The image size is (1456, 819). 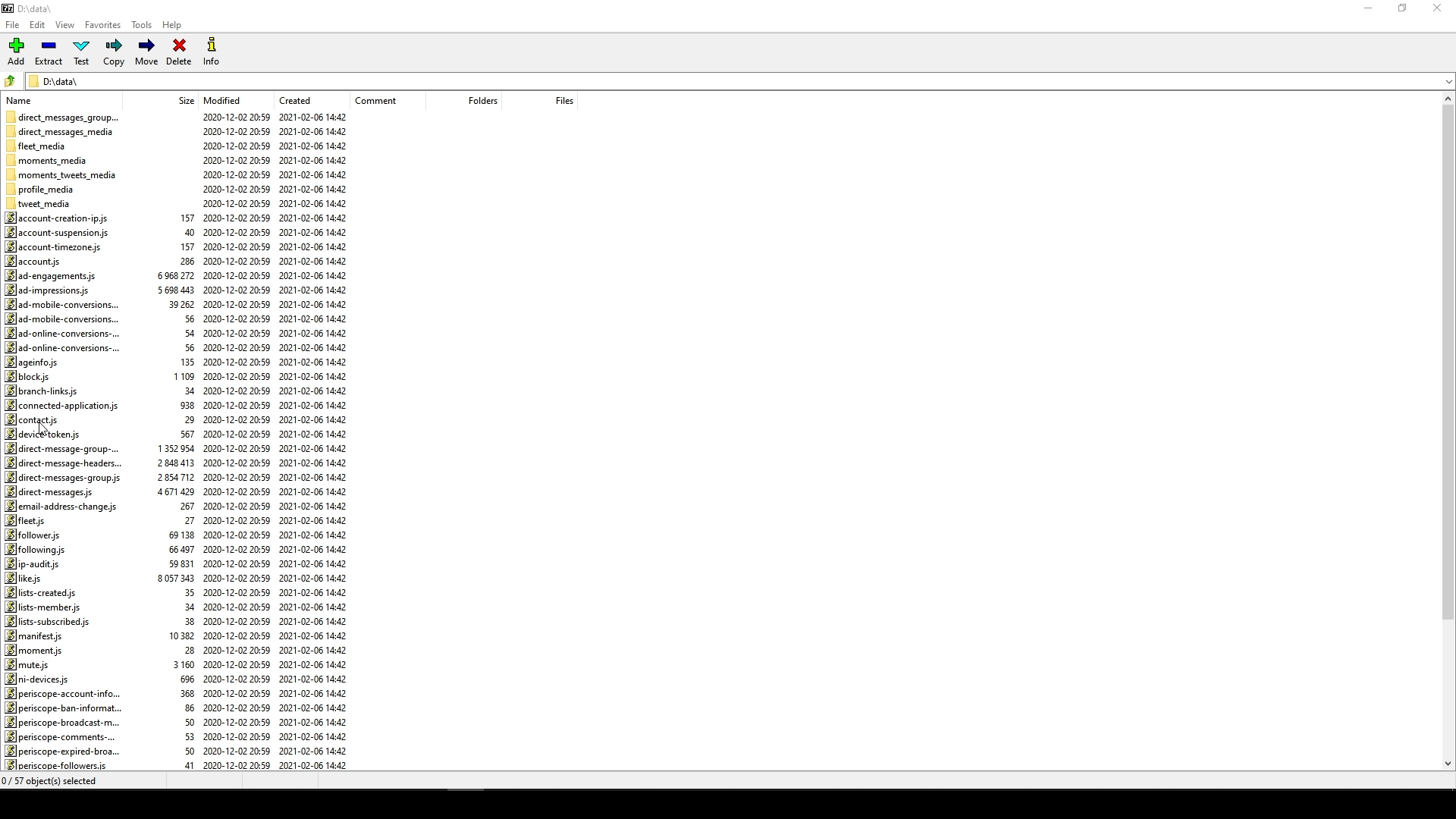 I want to click on D:\data\, so click(x=58, y=80).